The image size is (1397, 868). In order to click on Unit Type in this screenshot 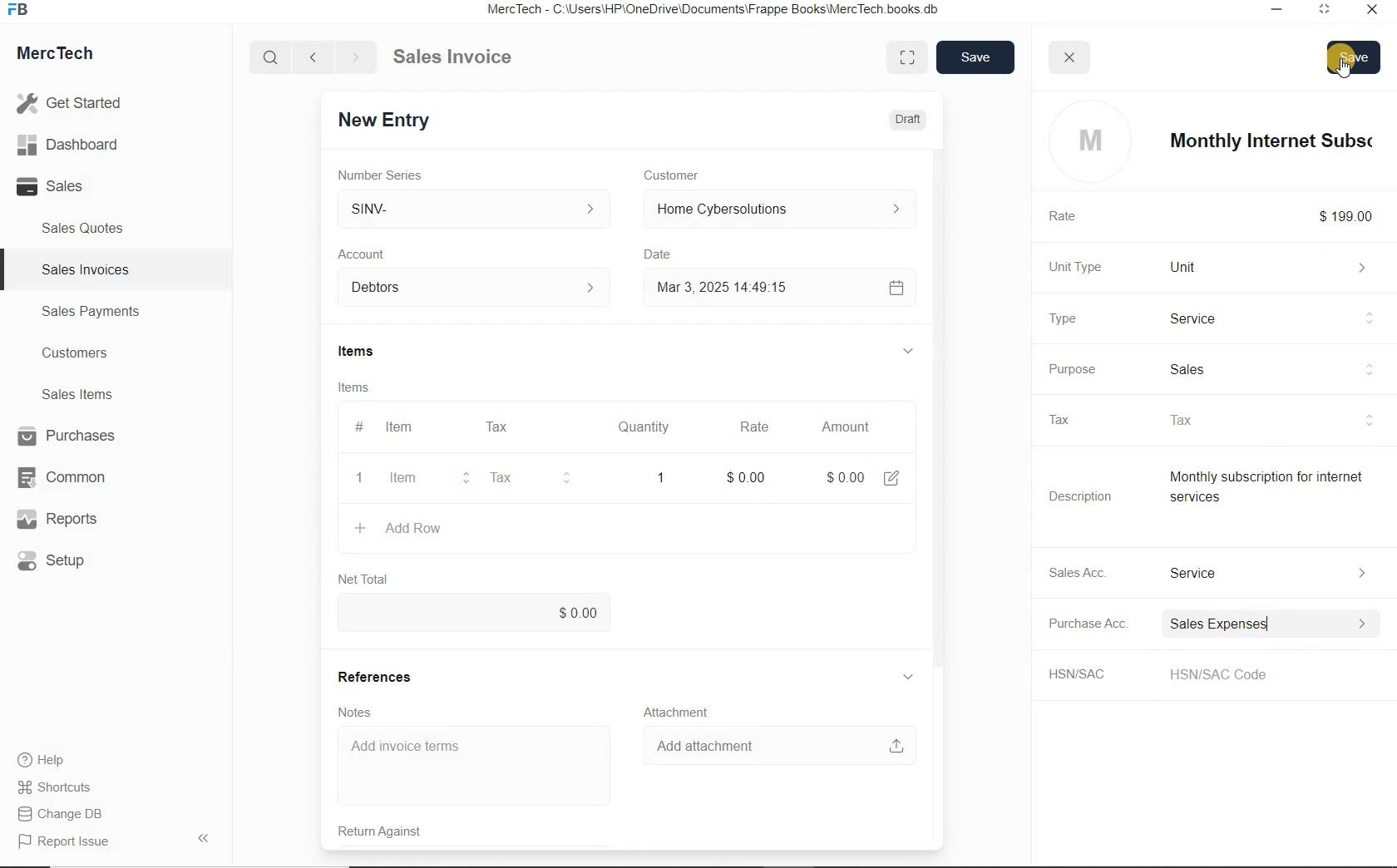, I will do `click(1071, 267)`.